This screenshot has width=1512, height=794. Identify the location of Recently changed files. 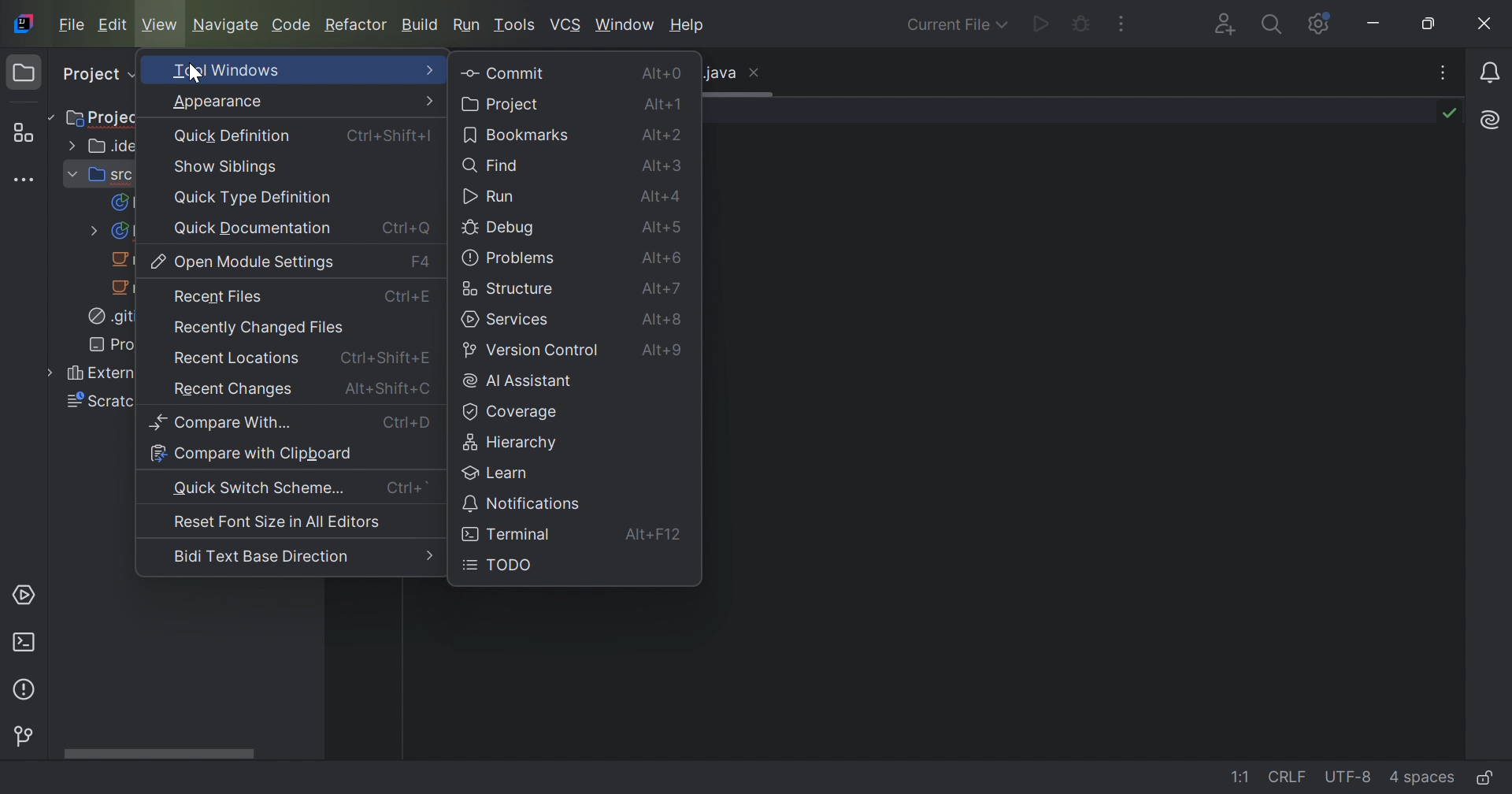
(258, 330).